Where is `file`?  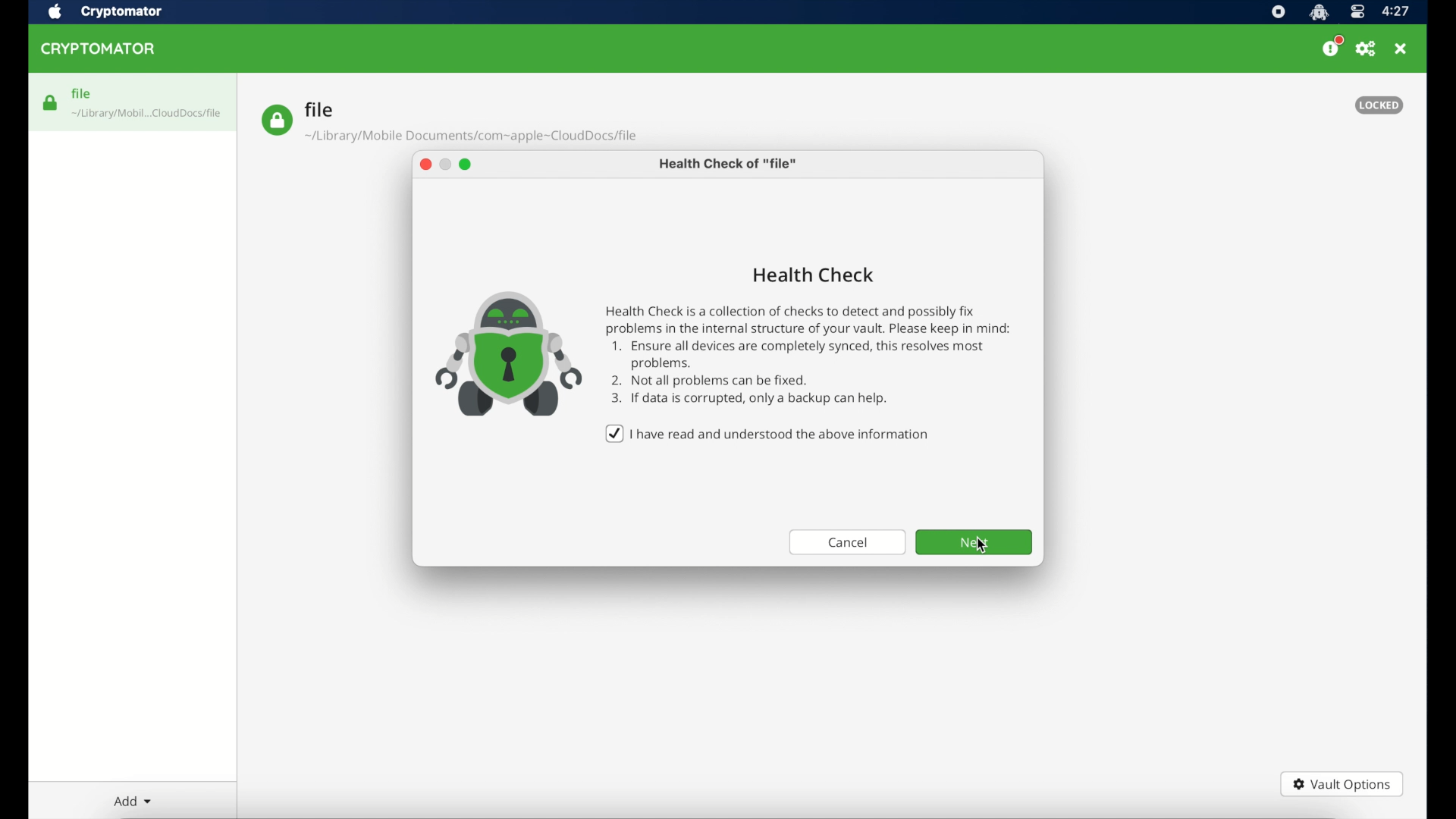
file is located at coordinates (449, 122).